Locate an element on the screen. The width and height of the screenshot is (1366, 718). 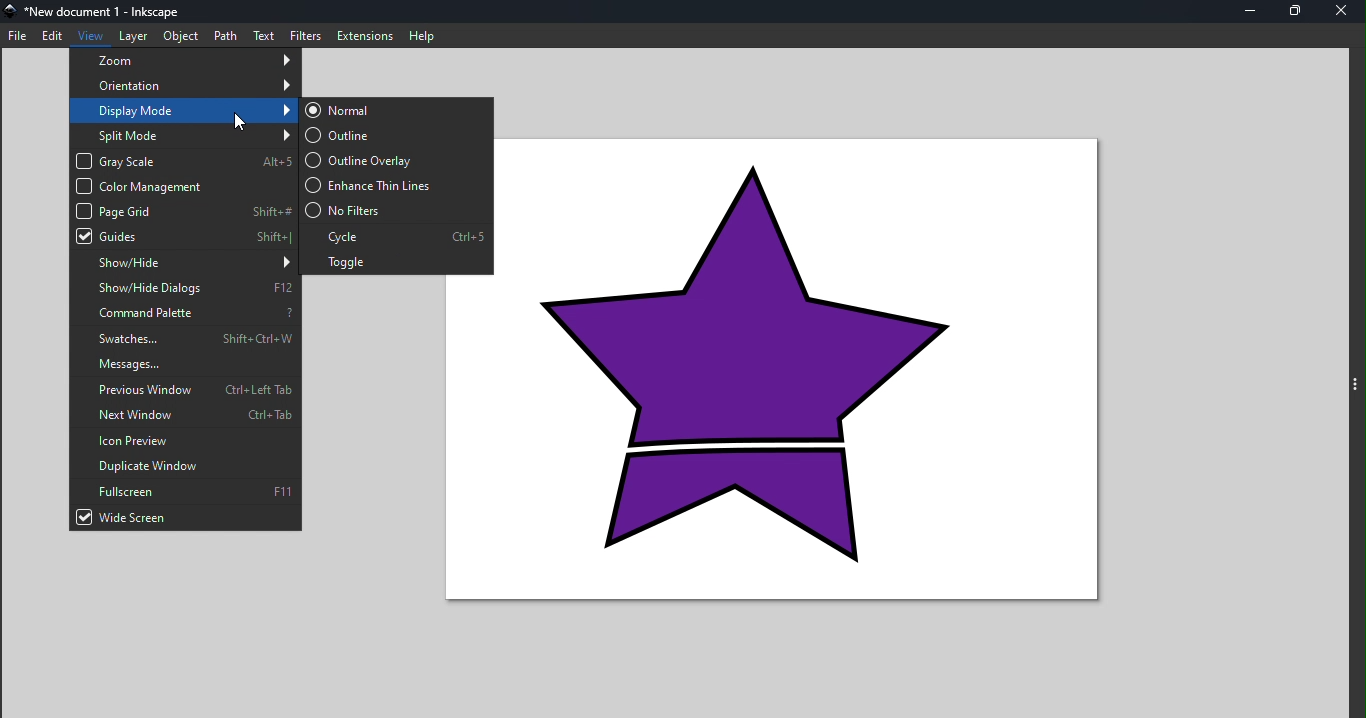
Enhance thin lines is located at coordinates (396, 184).